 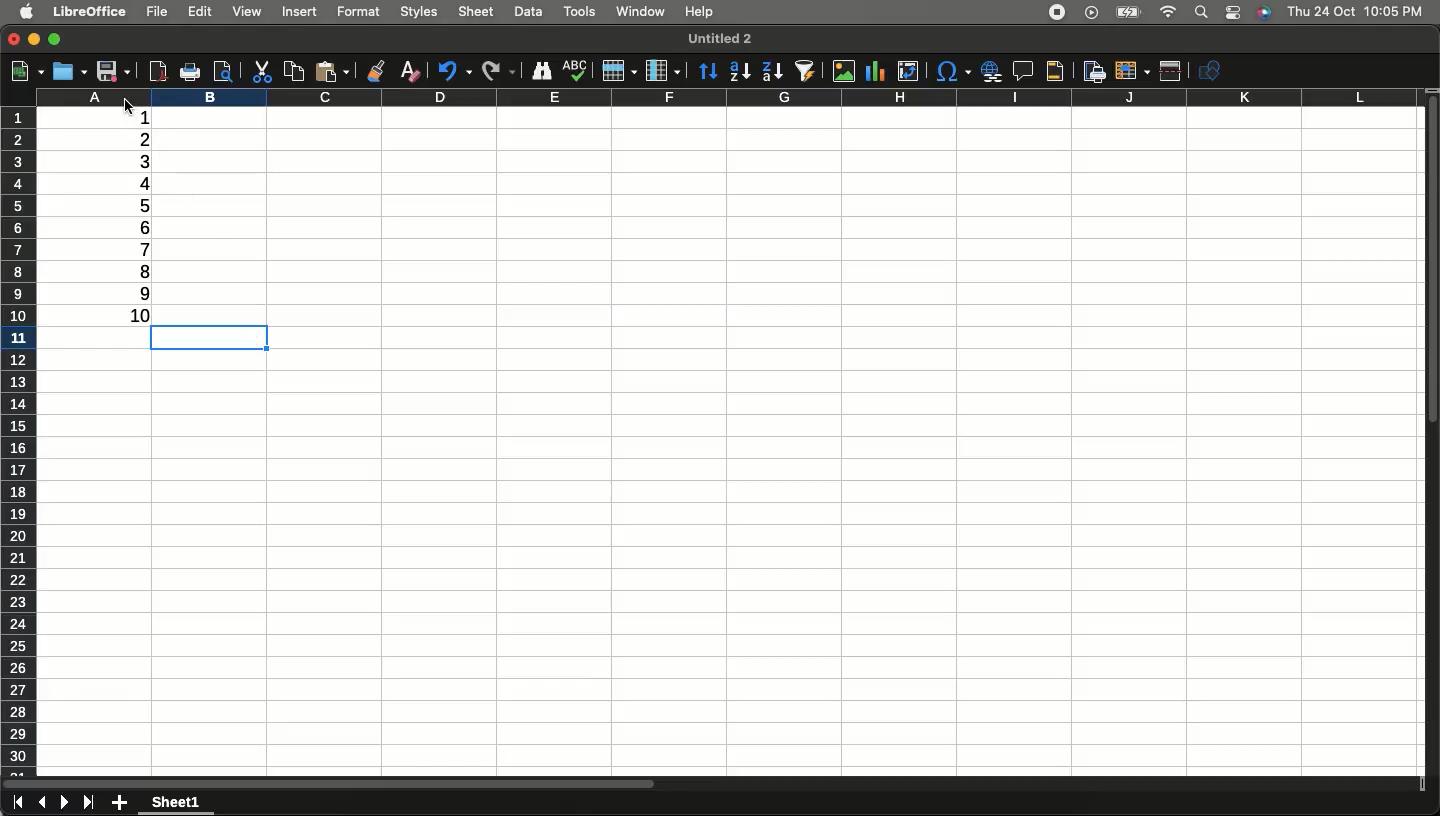 I want to click on Styles, so click(x=420, y=13).